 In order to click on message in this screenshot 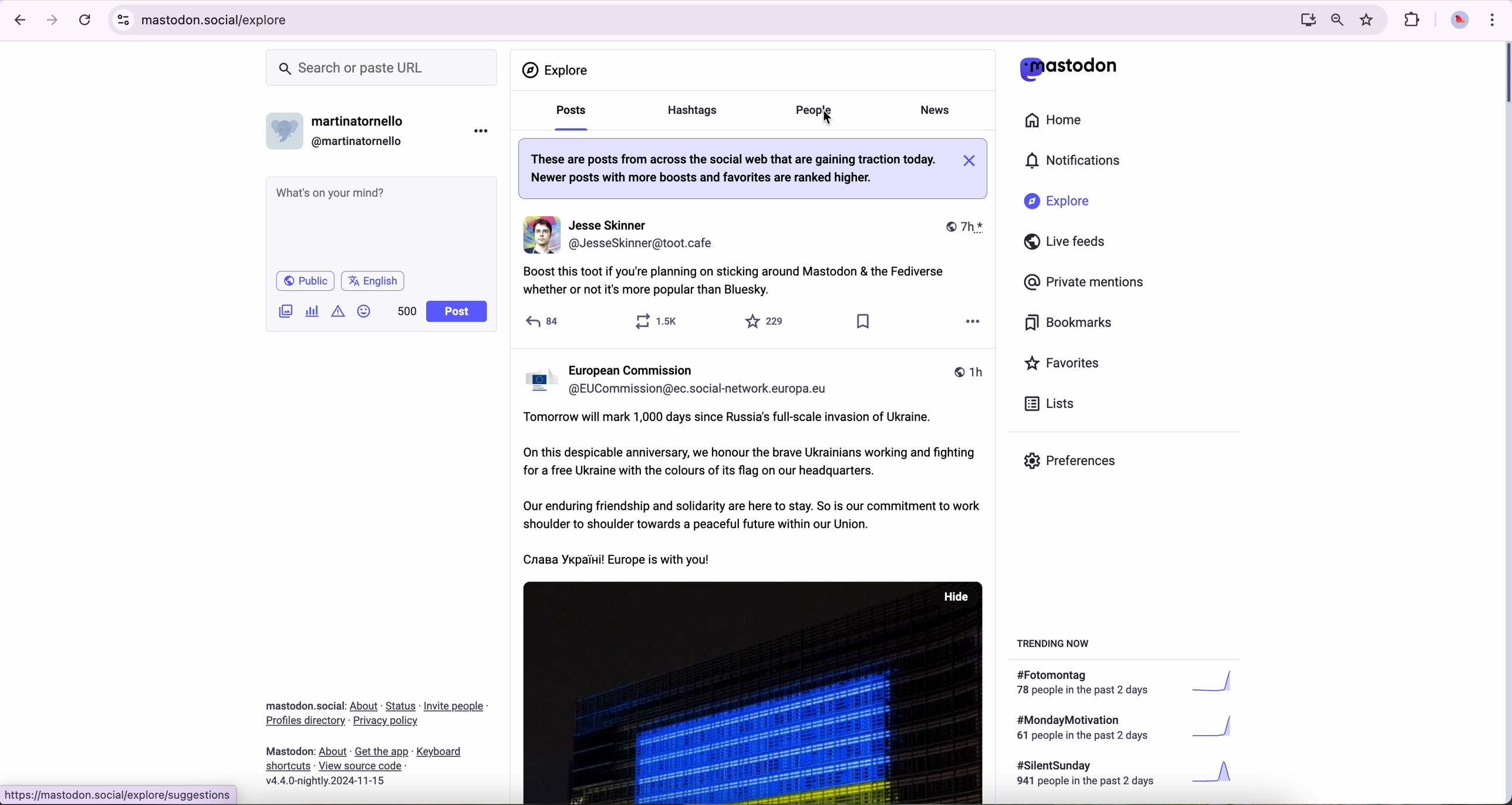, I will do `click(743, 283)`.